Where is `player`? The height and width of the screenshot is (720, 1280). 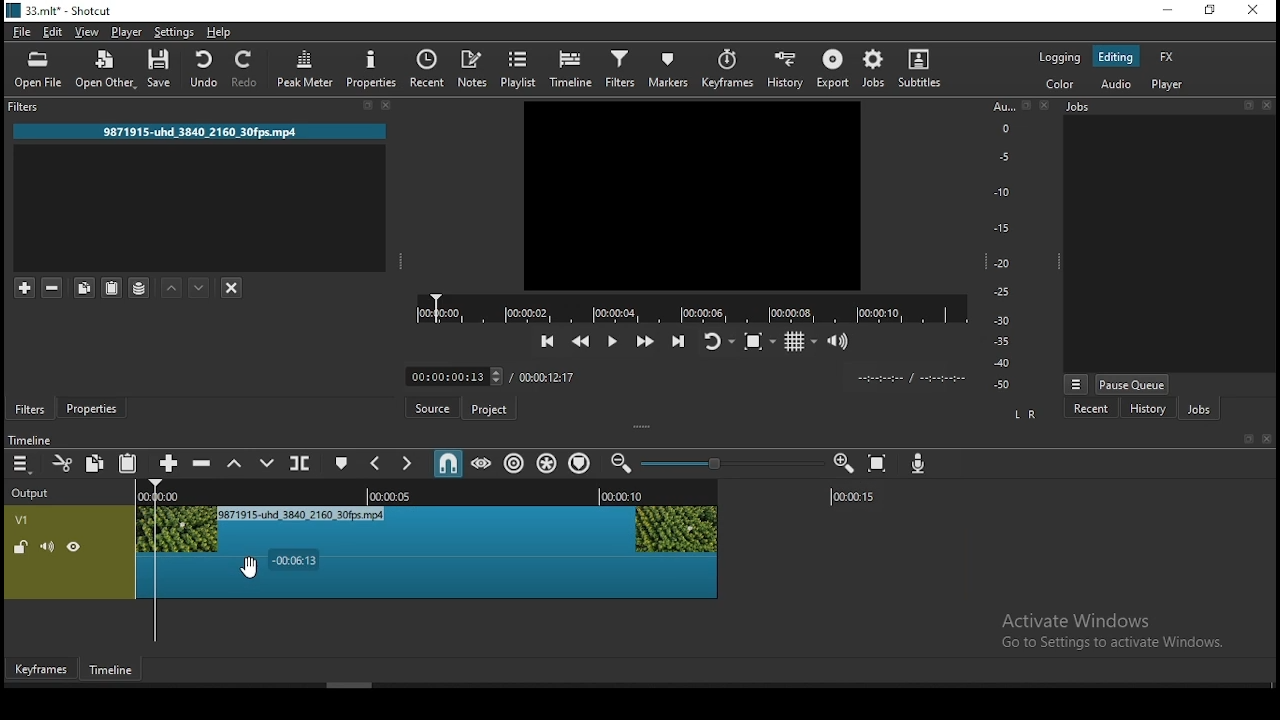
player is located at coordinates (127, 31).